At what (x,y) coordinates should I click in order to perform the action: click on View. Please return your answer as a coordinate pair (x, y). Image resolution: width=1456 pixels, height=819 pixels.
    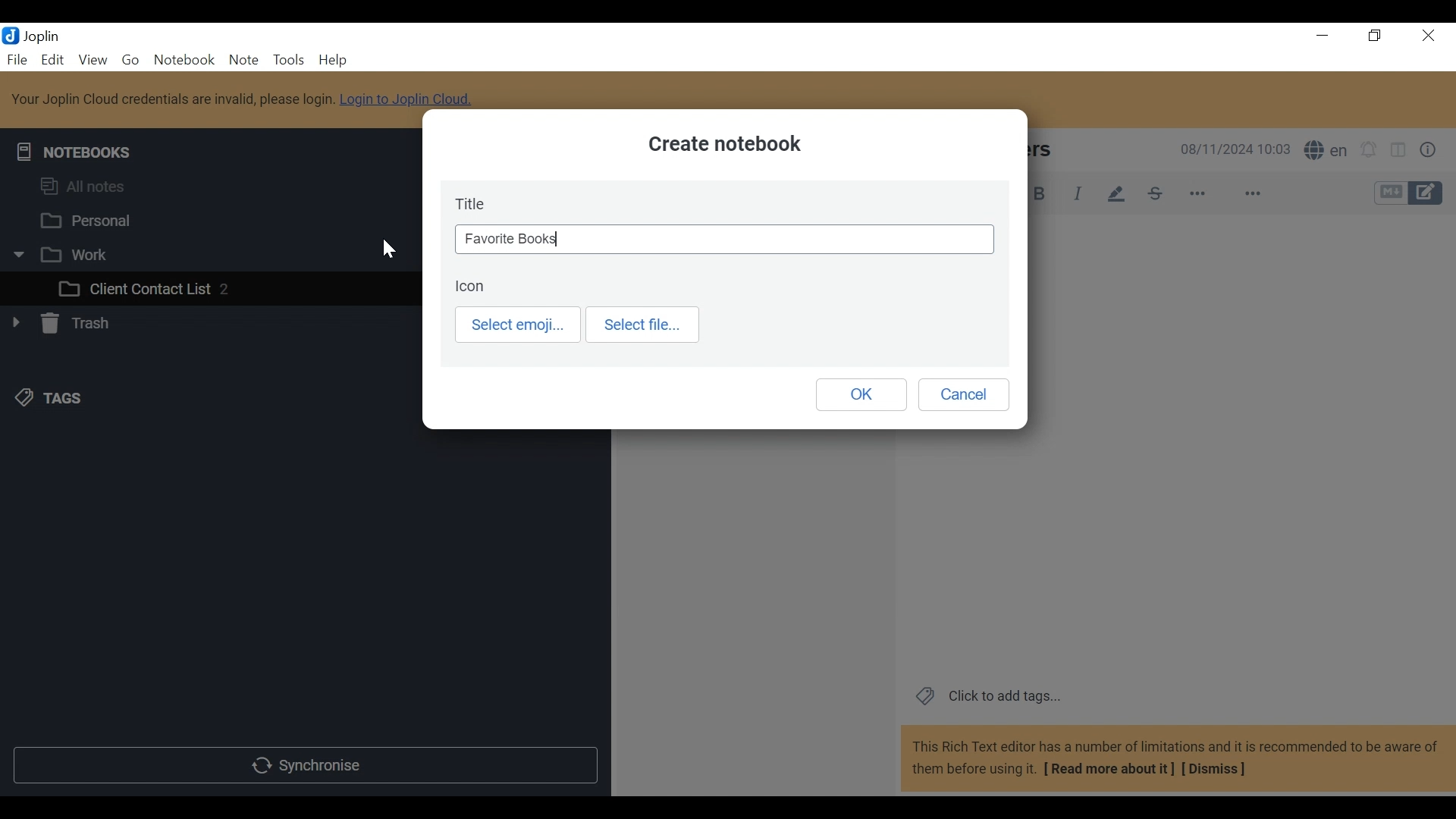
    Looking at the image, I should click on (93, 61).